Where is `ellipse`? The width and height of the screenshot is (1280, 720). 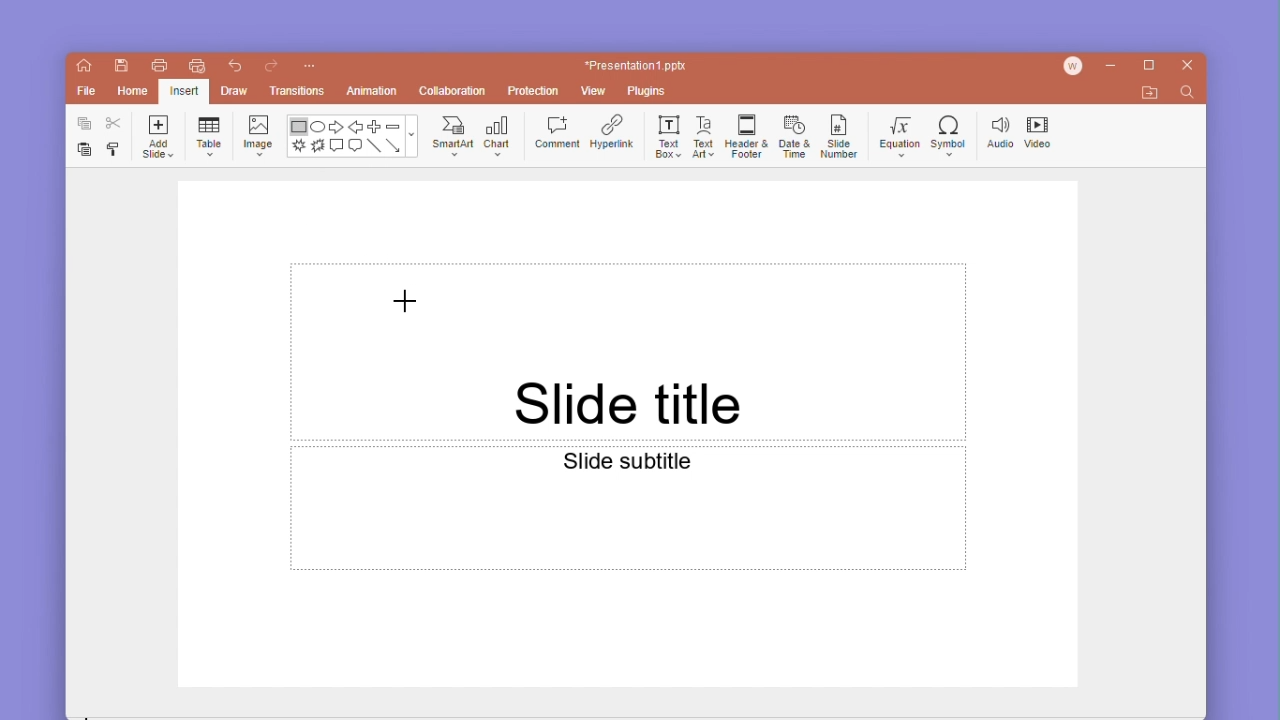
ellipse is located at coordinates (318, 127).